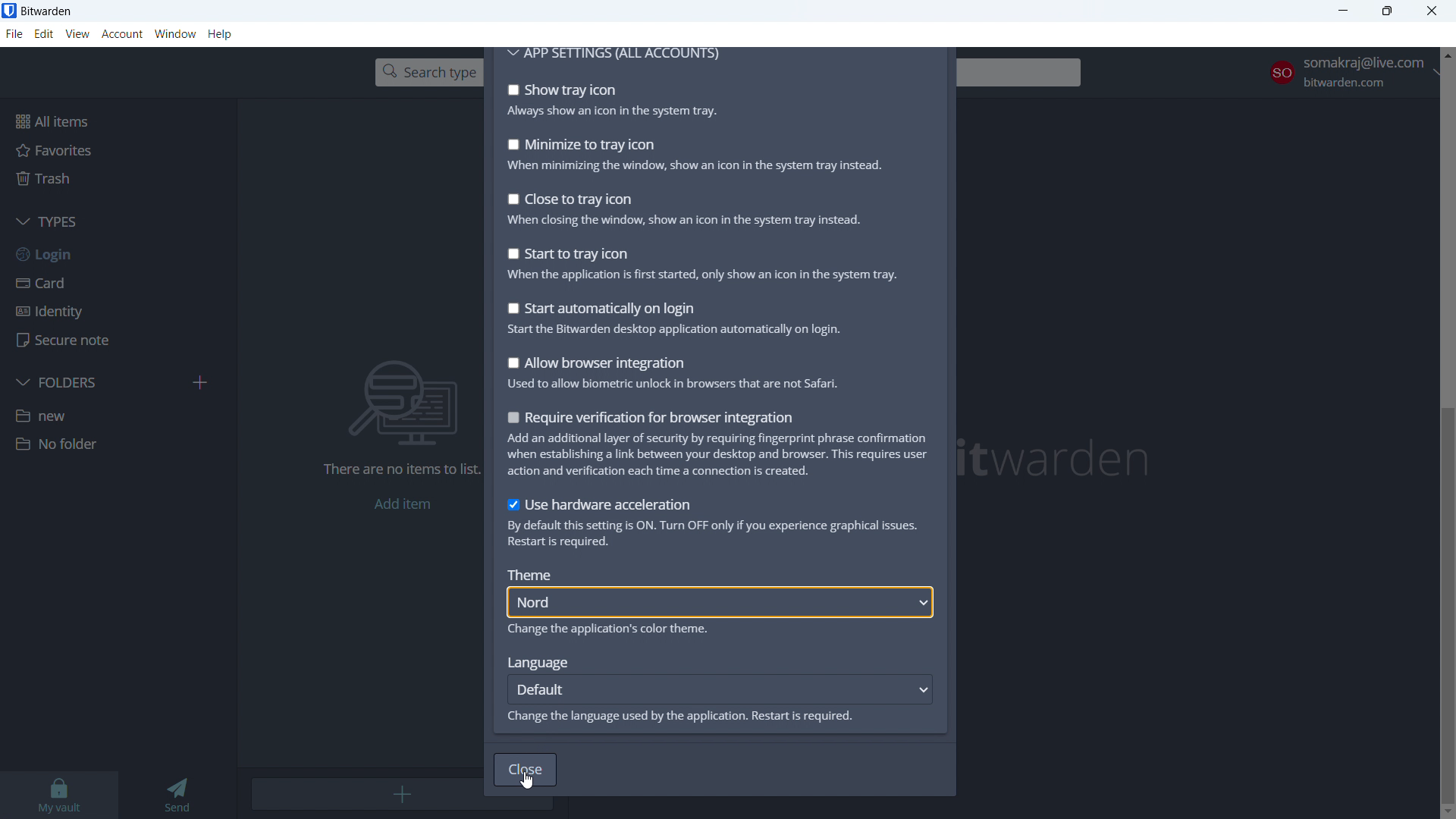 The width and height of the screenshot is (1456, 819). What do you see at coordinates (717, 444) in the screenshot?
I see `rewquire verification for browser integration` at bounding box center [717, 444].